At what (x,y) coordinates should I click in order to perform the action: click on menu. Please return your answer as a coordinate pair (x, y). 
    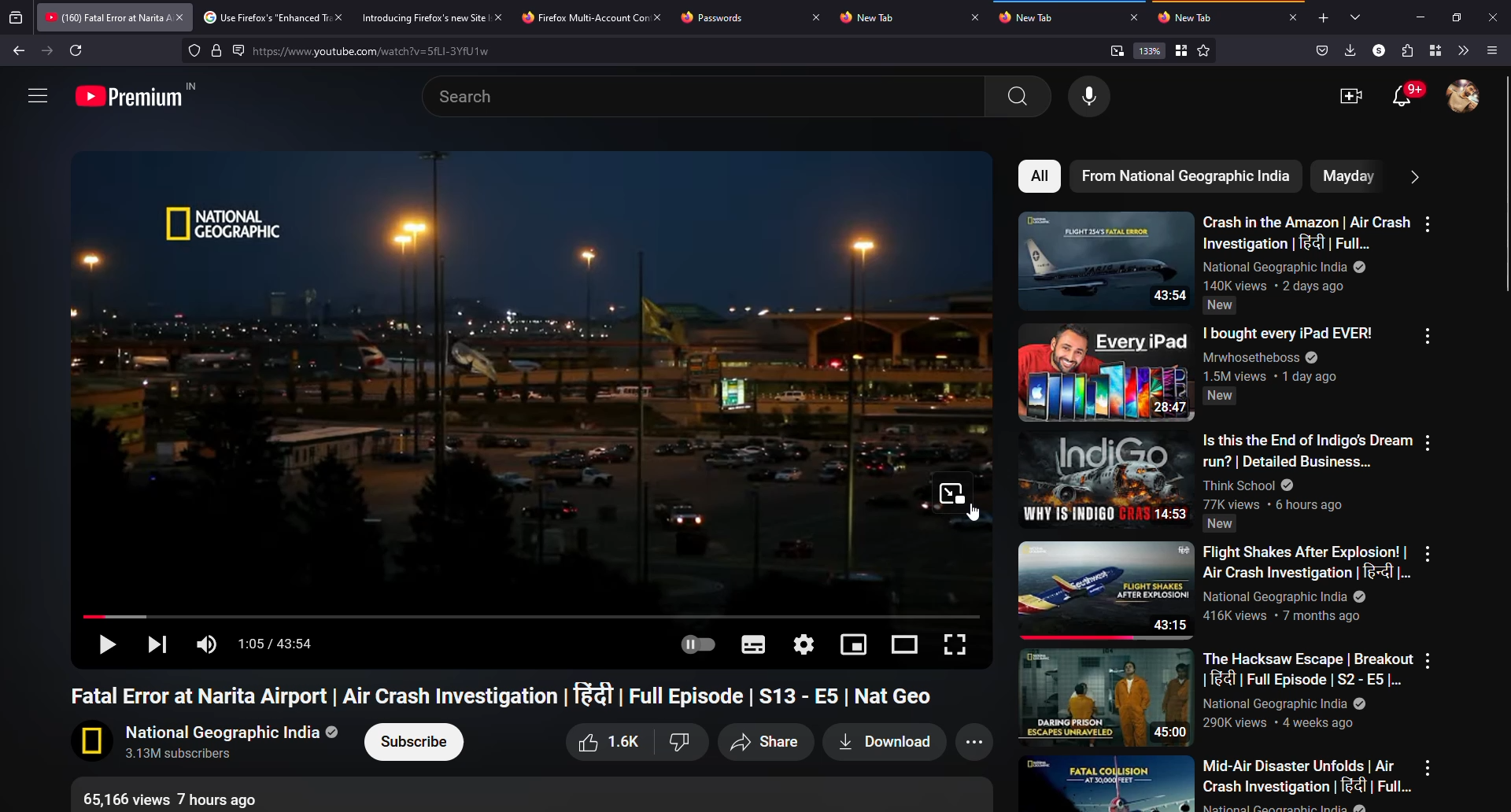
    Looking at the image, I should click on (1494, 50).